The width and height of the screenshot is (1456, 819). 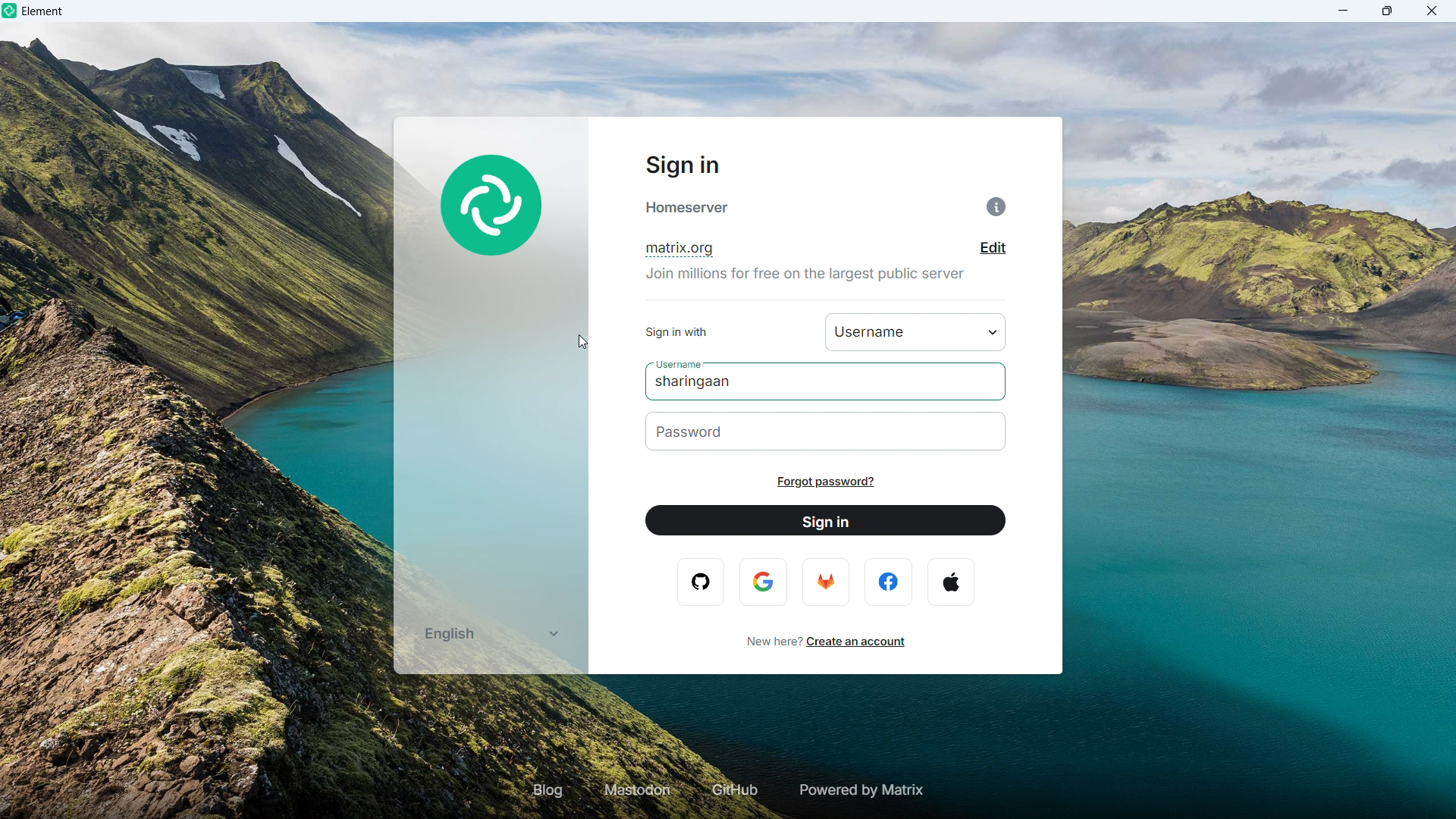 What do you see at coordinates (1431, 11) in the screenshot?
I see `close ` at bounding box center [1431, 11].